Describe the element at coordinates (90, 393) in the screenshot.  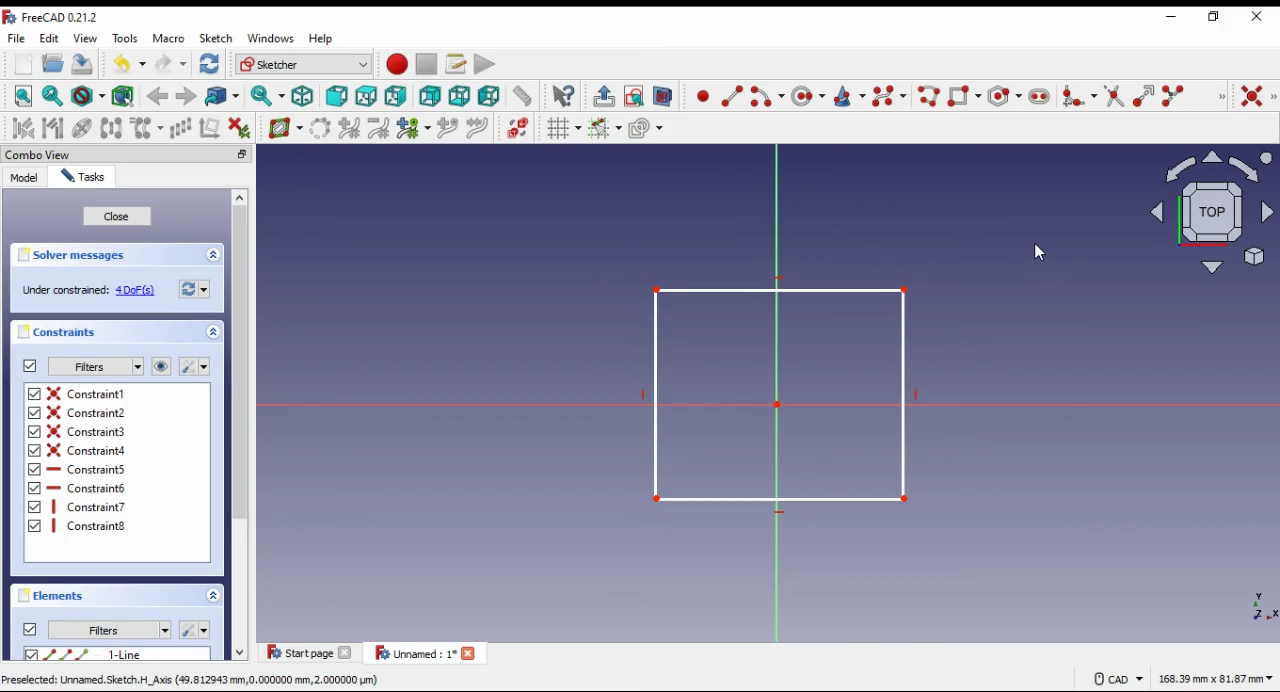
I see `on/off constraint 1` at that location.